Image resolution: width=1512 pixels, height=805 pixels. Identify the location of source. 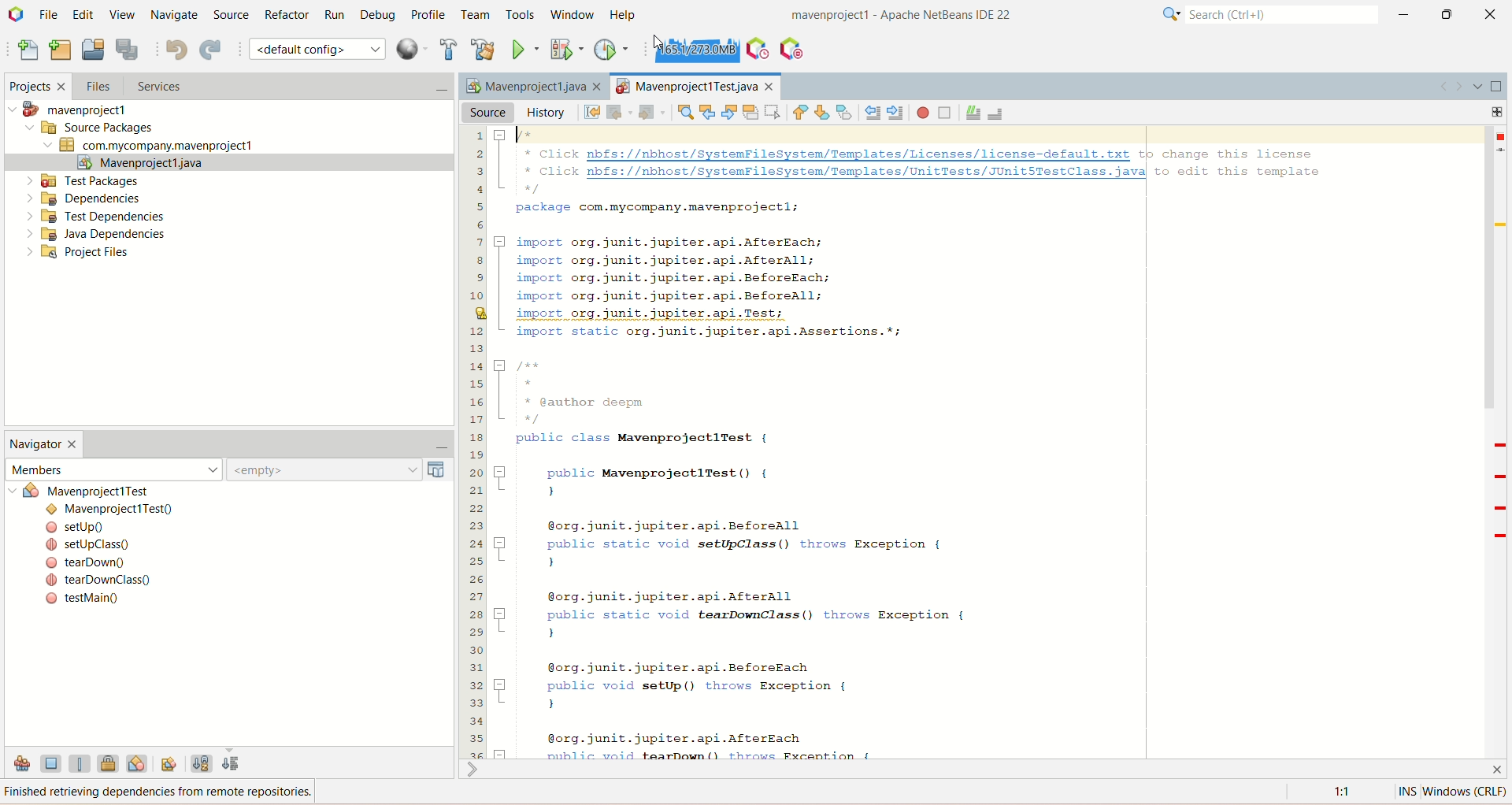
(229, 13).